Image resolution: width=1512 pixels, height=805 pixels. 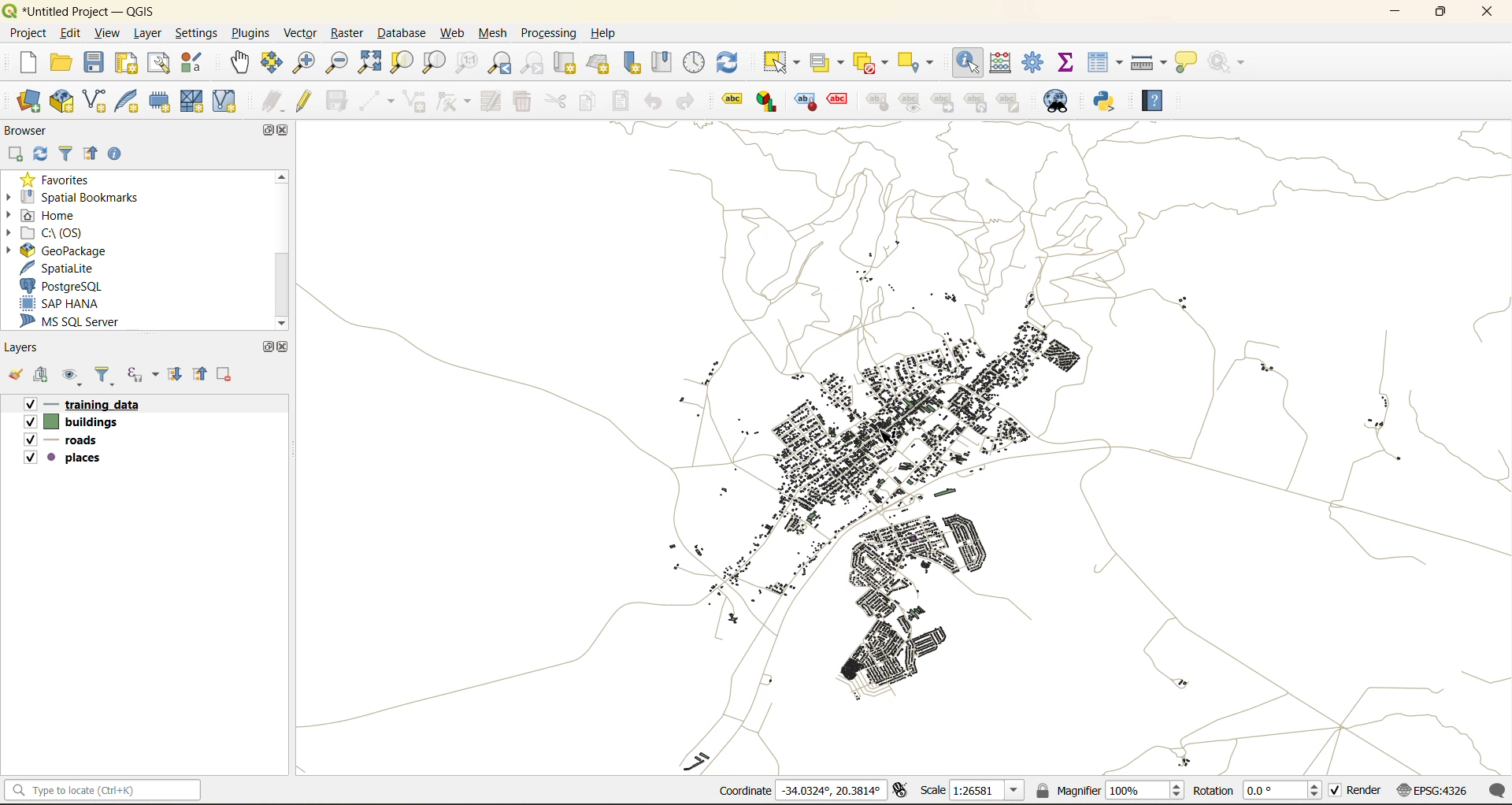 I want to click on paste, so click(x=621, y=99).